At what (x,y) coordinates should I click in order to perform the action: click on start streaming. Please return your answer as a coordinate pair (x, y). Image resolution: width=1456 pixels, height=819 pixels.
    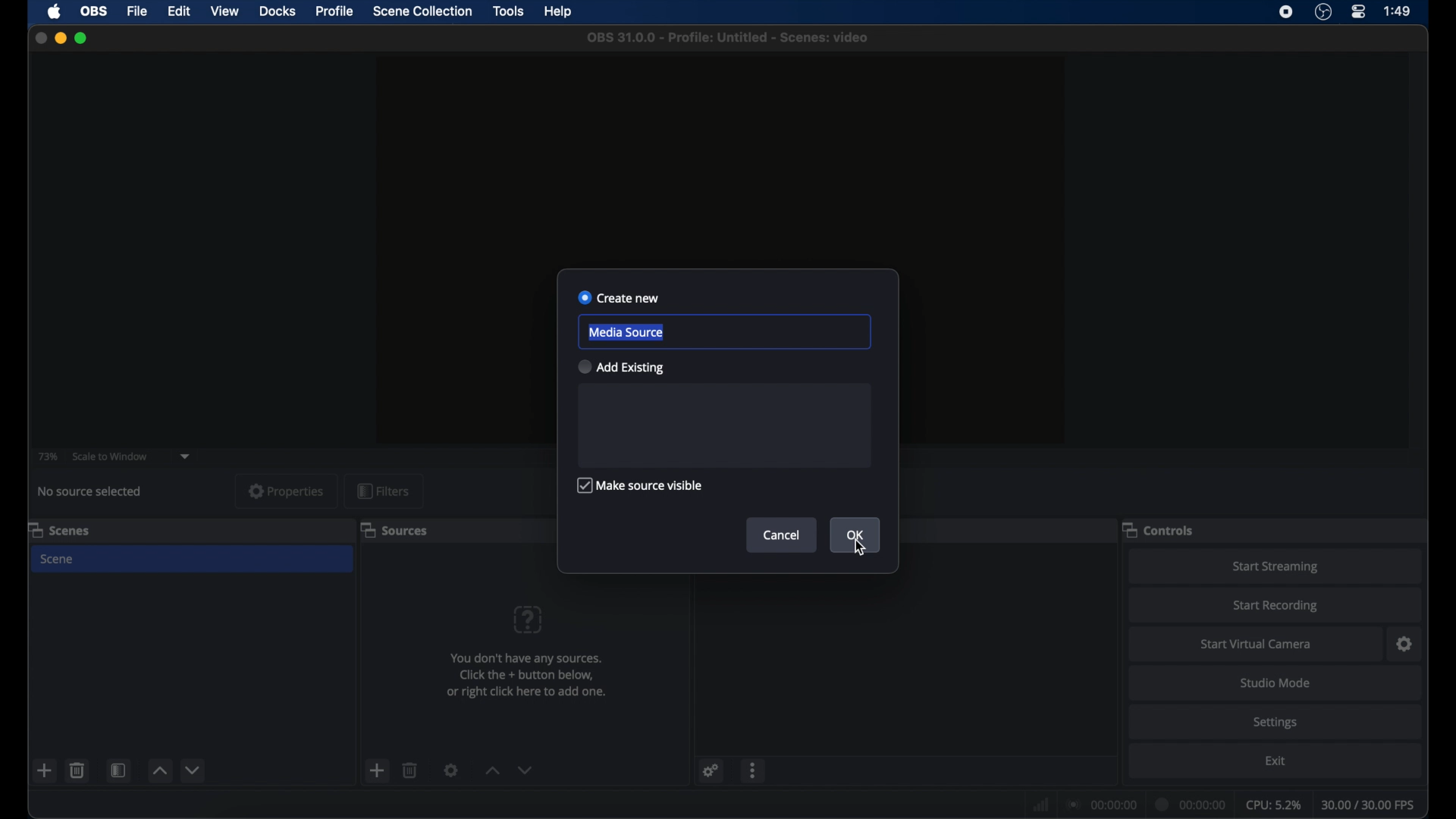
    Looking at the image, I should click on (1277, 567).